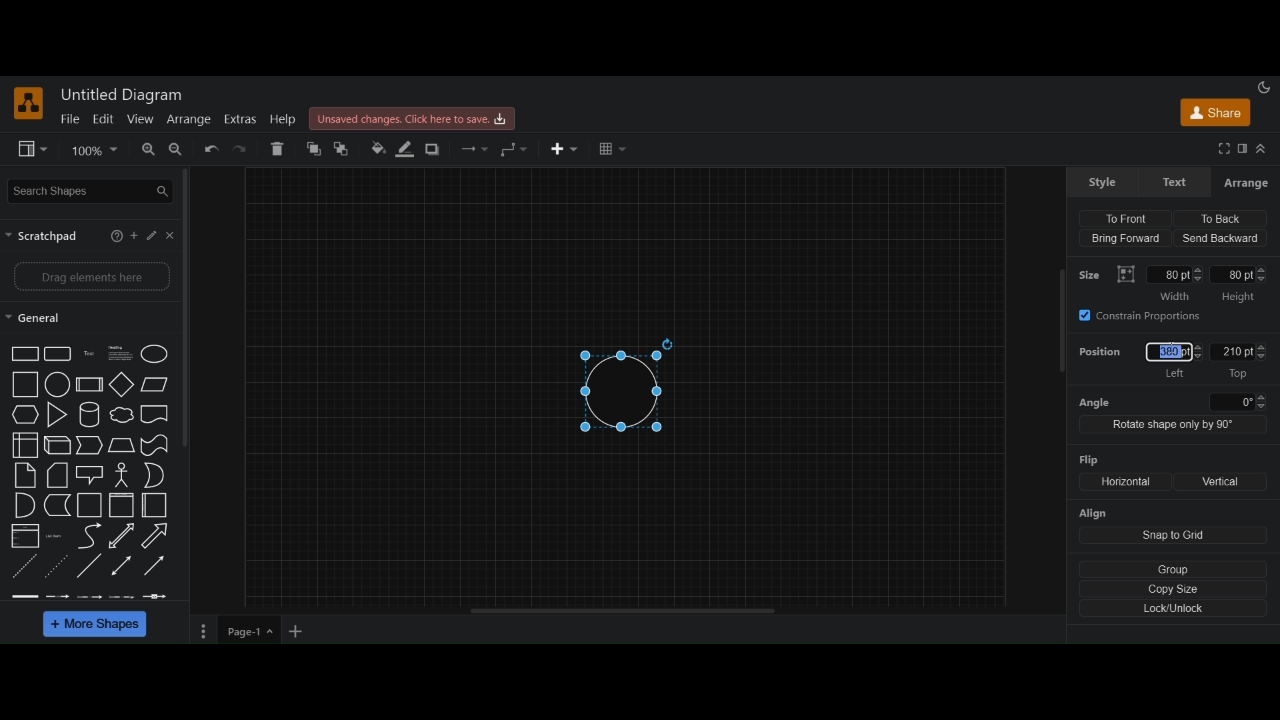 Image resolution: width=1280 pixels, height=720 pixels. What do you see at coordinates (114, 236) in the screenshot?
I see `help` at bounding box center [114, 236].